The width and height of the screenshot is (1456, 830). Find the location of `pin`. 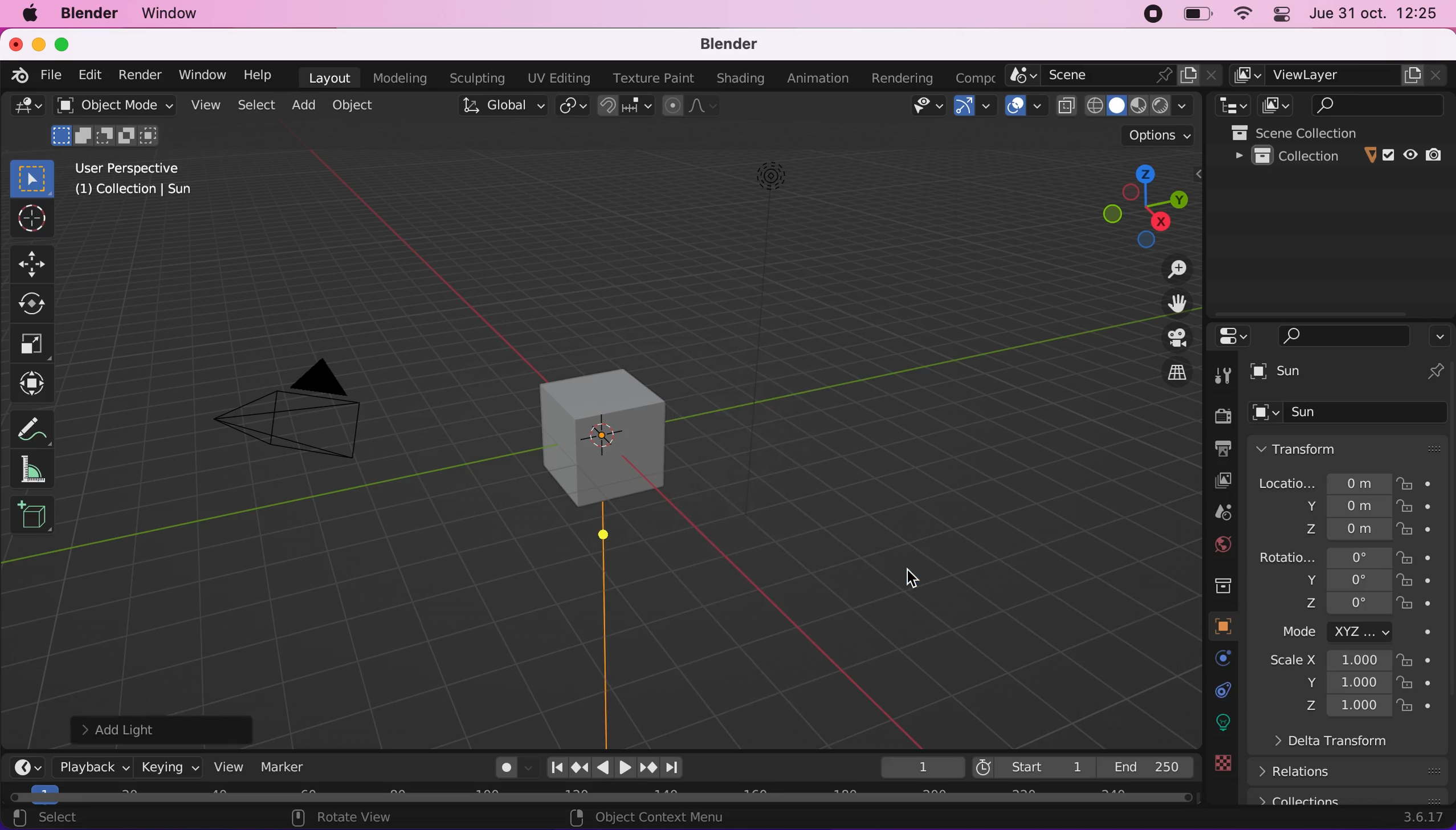

pin is located at coordinates (1435, 373).